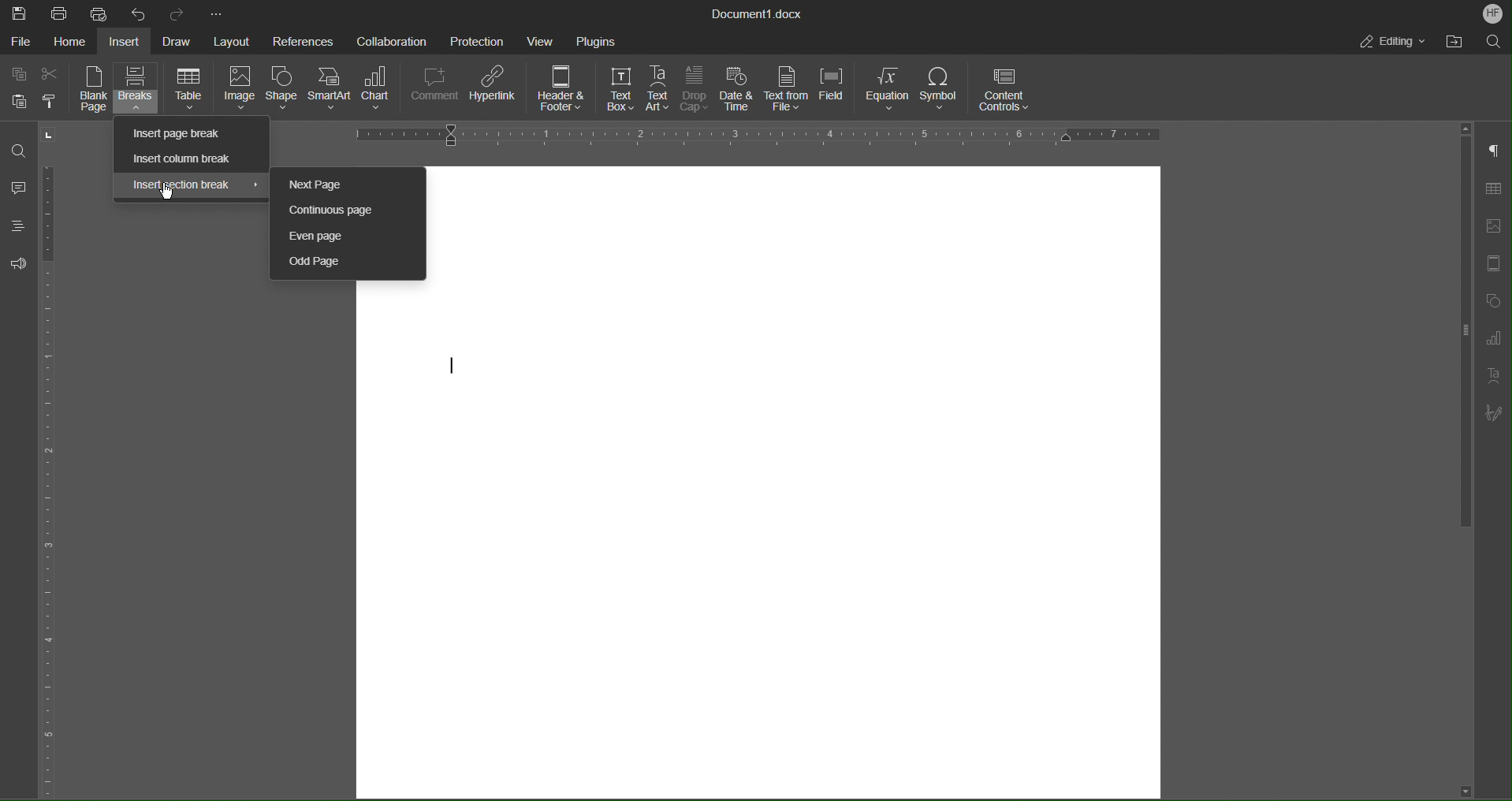 The width and height of the screenshot is (1512, 801). What do you see at coordinates (47, 483) in the screenshot?
I see `Vertical Color` at bounding box center [47, 483].